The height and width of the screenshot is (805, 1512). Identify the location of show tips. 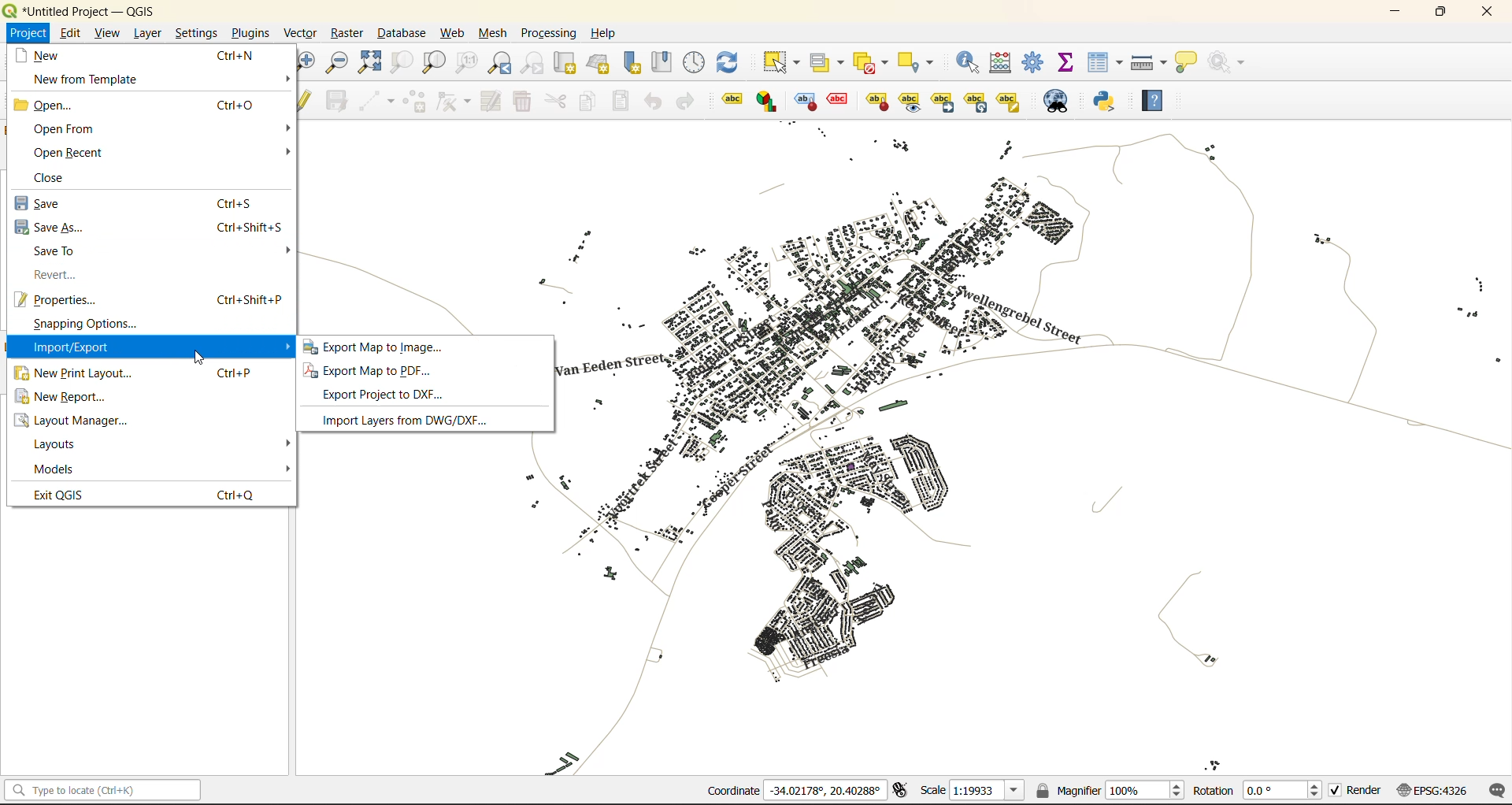
(1191, 61).